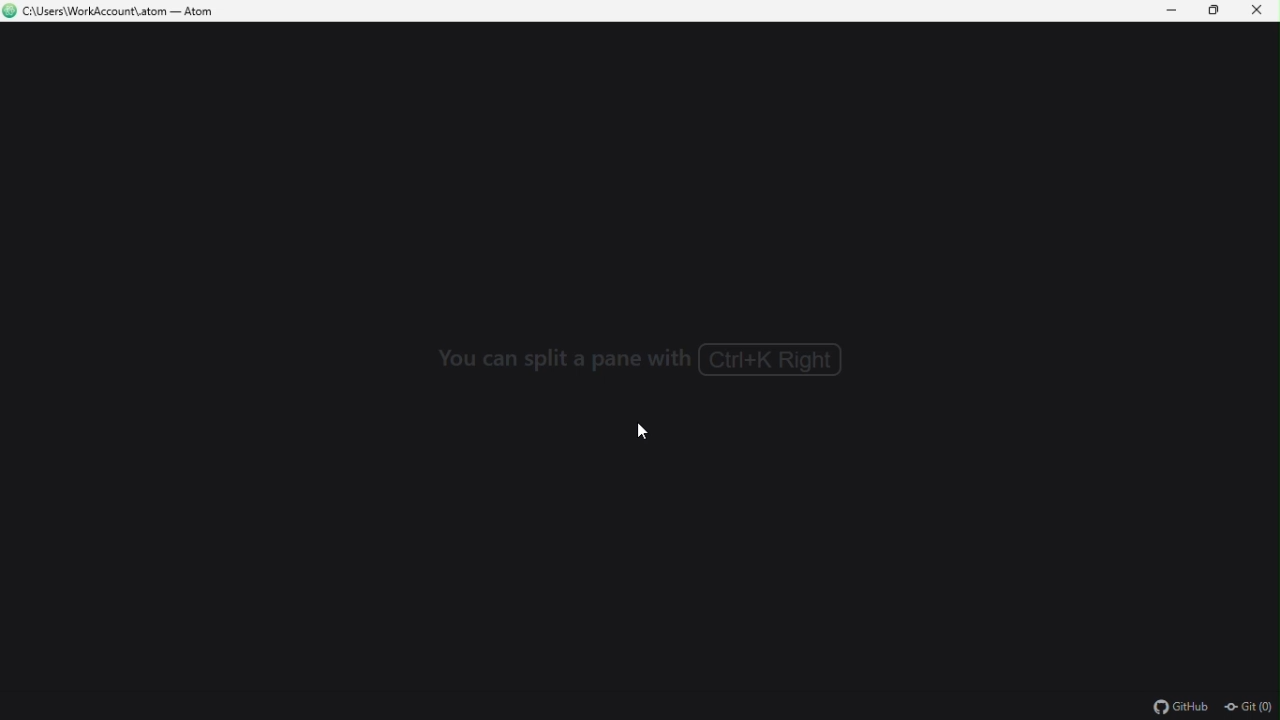 This screenshot has width=1280, height=720. Describe the element at coordinates (1257, 13) in the screenshot. I see `Close` at that location.